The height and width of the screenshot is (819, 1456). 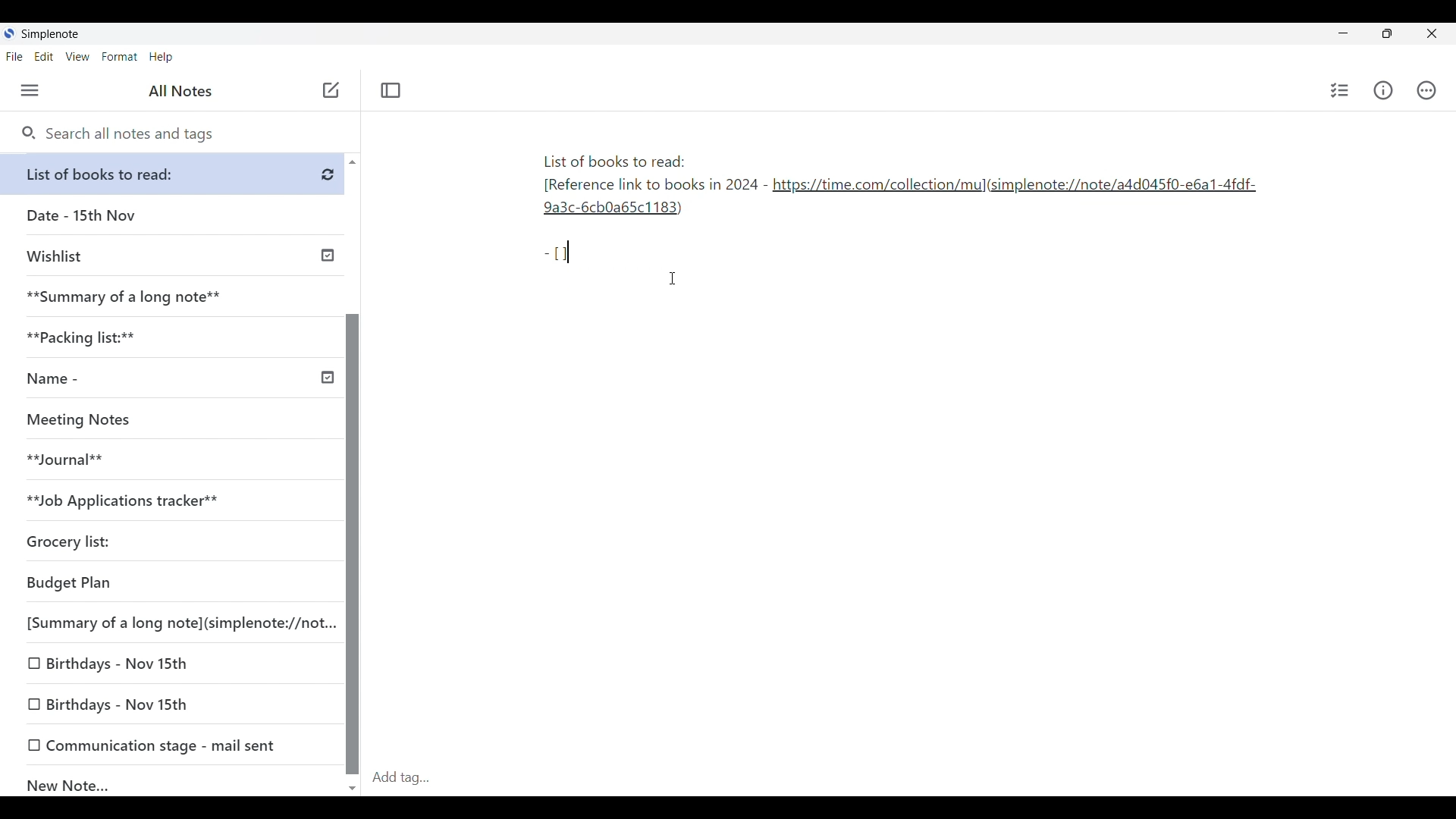 I want to click on Name -, so click(x=177, y=380).